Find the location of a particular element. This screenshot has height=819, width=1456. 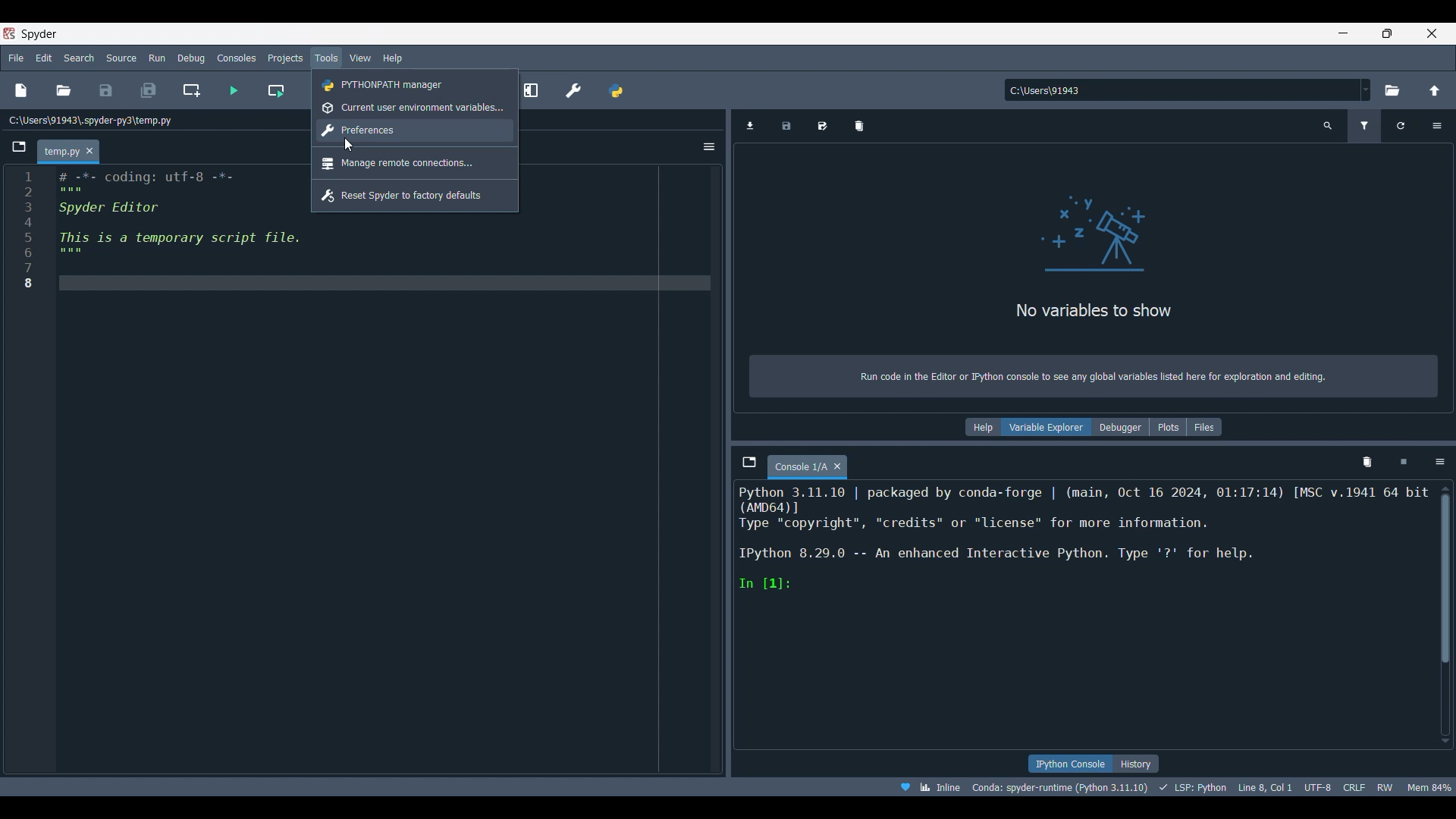

Filter variable is located at coordinates (1364, 127).